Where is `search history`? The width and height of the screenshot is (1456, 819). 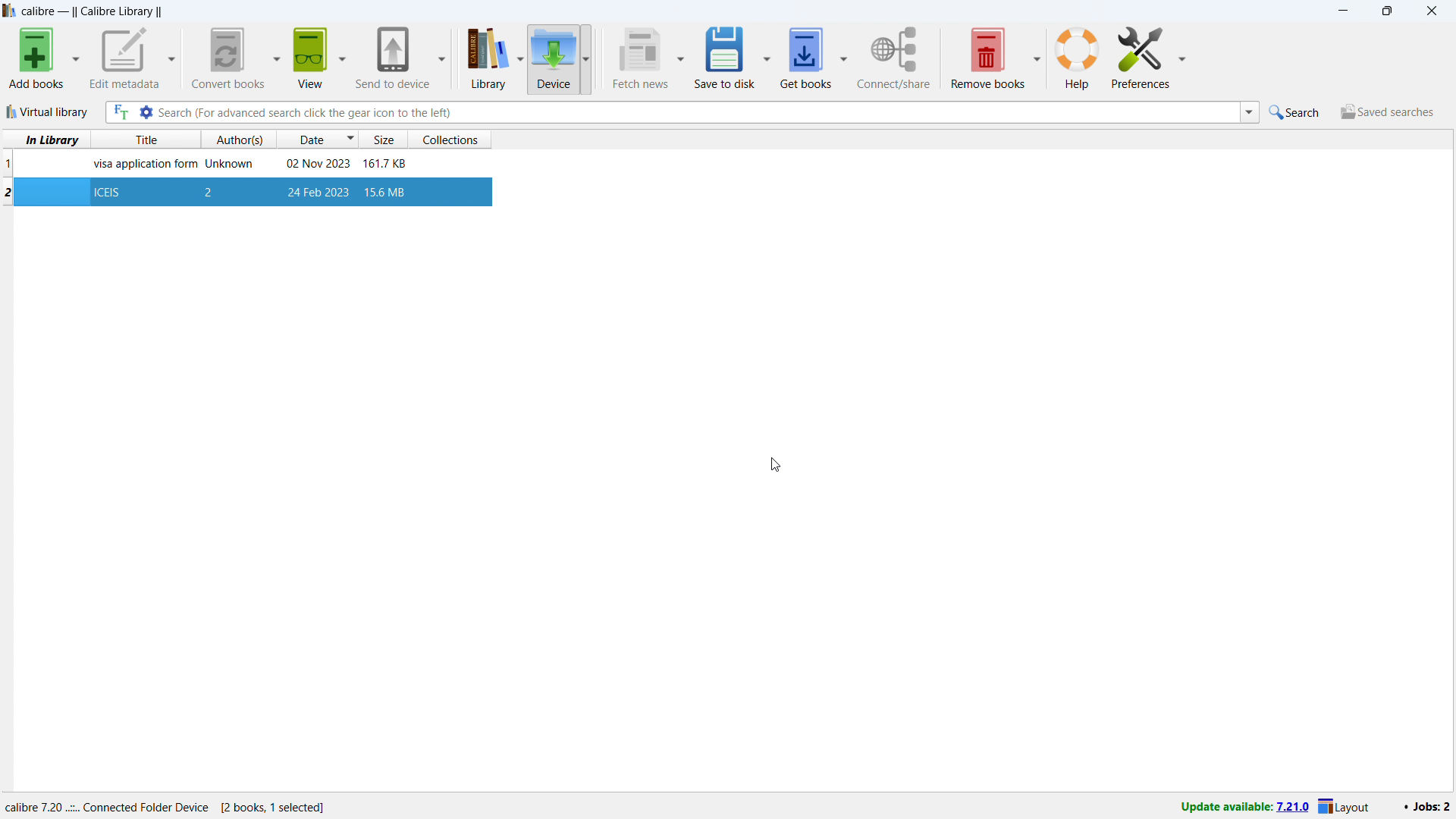
search history is located at coordinates (1249, 112).